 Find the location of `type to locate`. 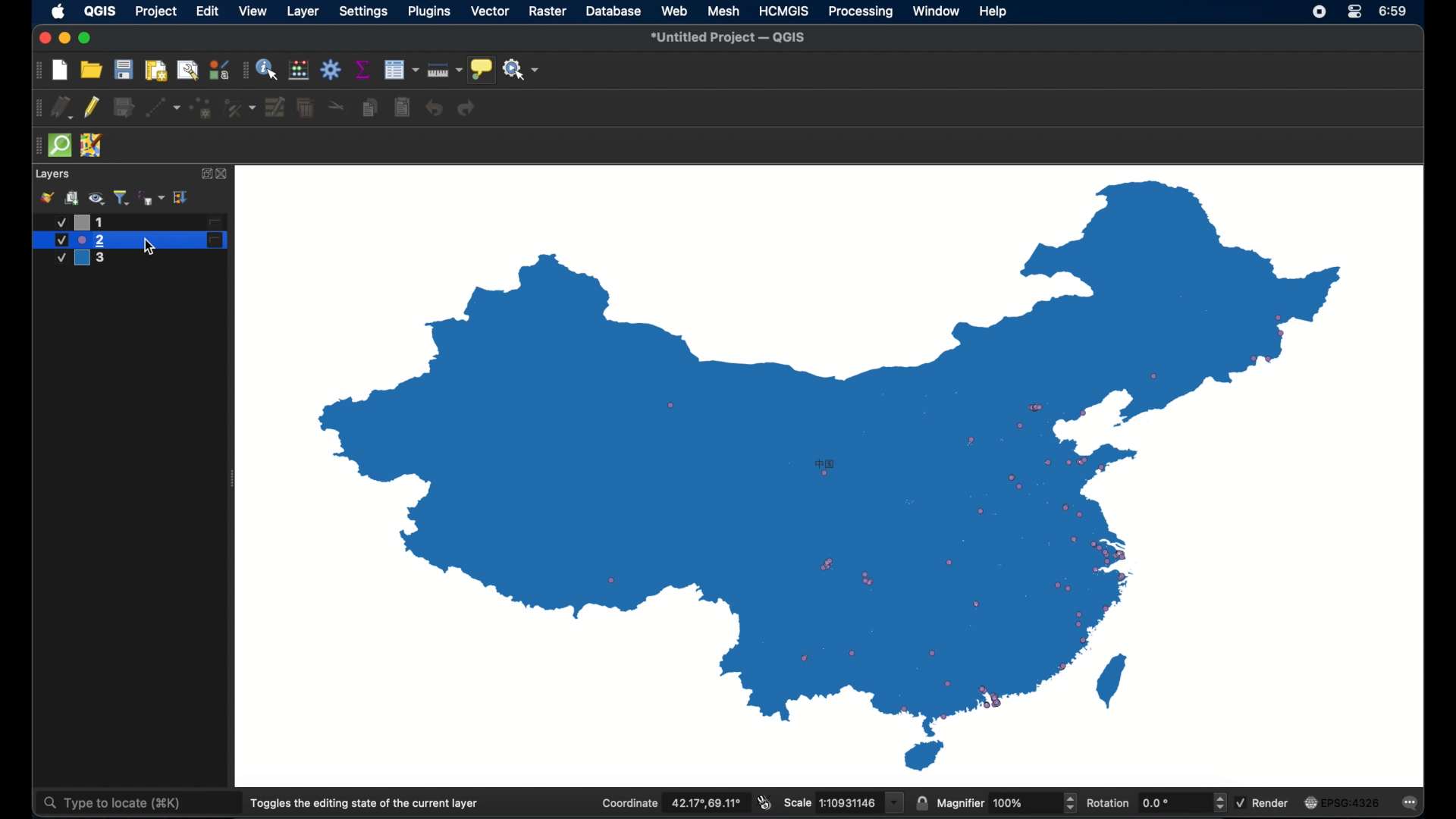

type to locate is located at coordinates (110, 804).